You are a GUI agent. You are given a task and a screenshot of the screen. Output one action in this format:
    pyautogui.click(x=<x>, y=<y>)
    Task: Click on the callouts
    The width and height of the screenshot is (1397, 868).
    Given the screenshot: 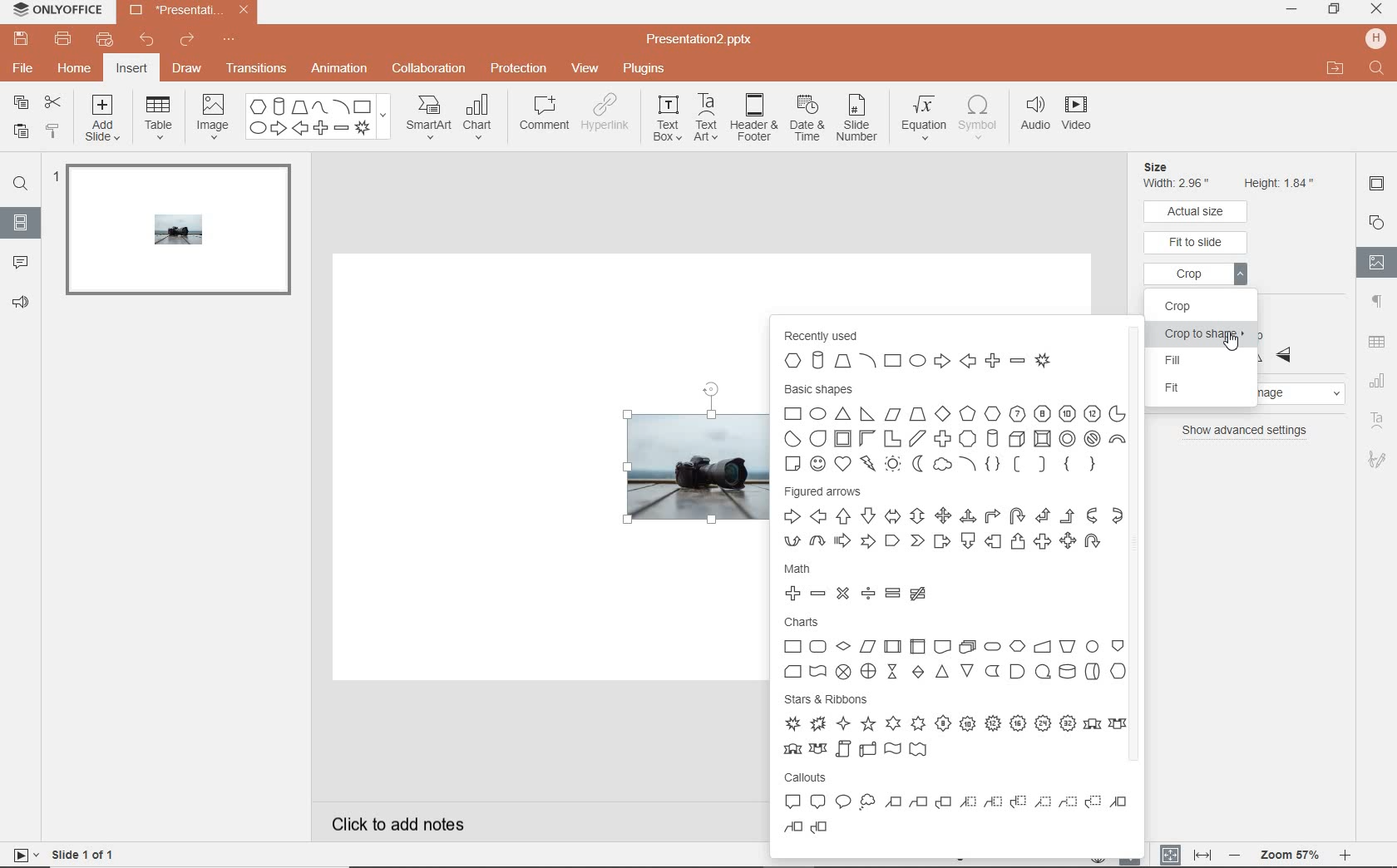 What is the action you would take?
    pyautogui.click(x=959, y=809)
    